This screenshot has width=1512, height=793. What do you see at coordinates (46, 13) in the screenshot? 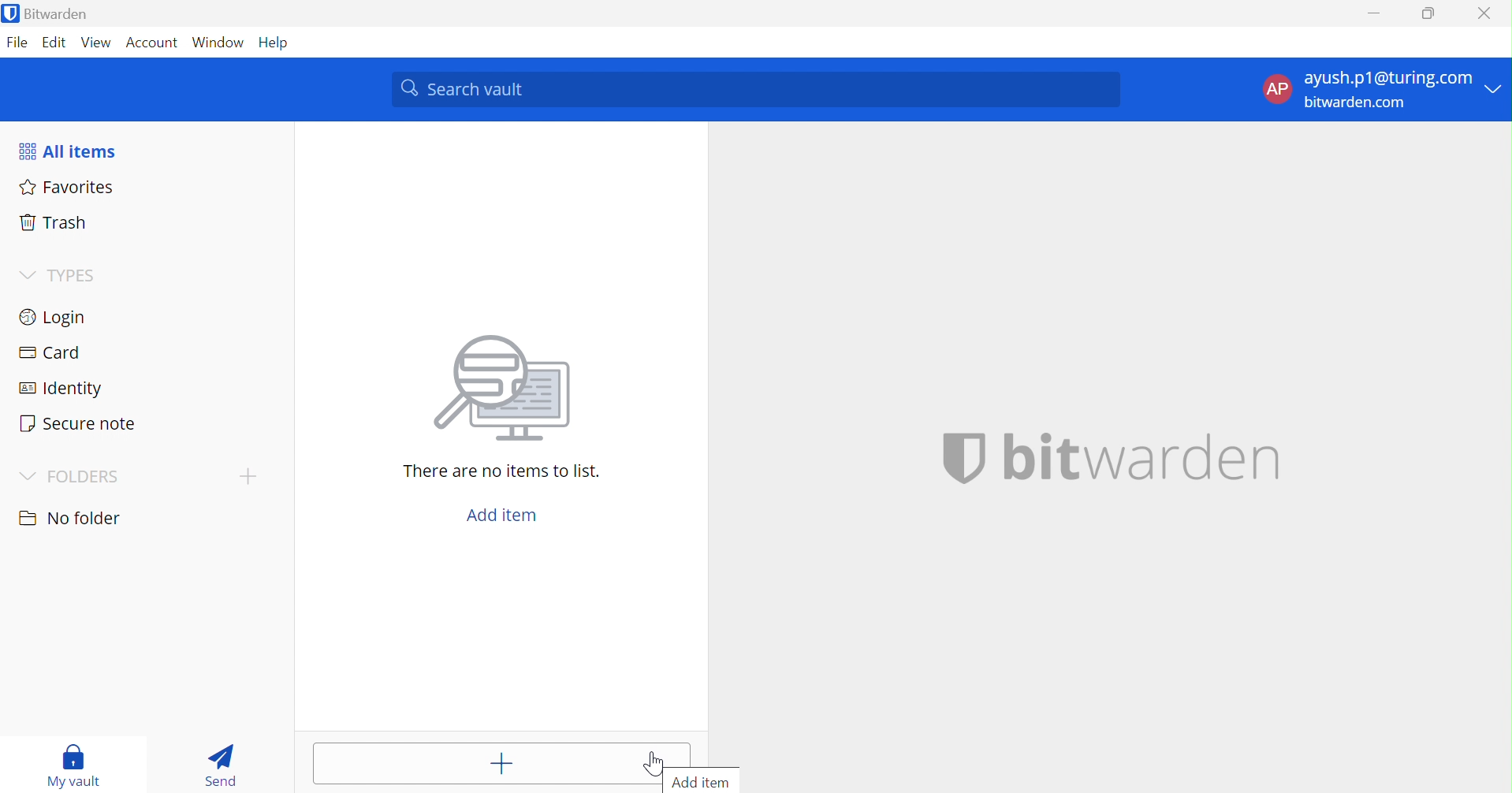
I see `Bitwarden` at bounding box center [46, 13].